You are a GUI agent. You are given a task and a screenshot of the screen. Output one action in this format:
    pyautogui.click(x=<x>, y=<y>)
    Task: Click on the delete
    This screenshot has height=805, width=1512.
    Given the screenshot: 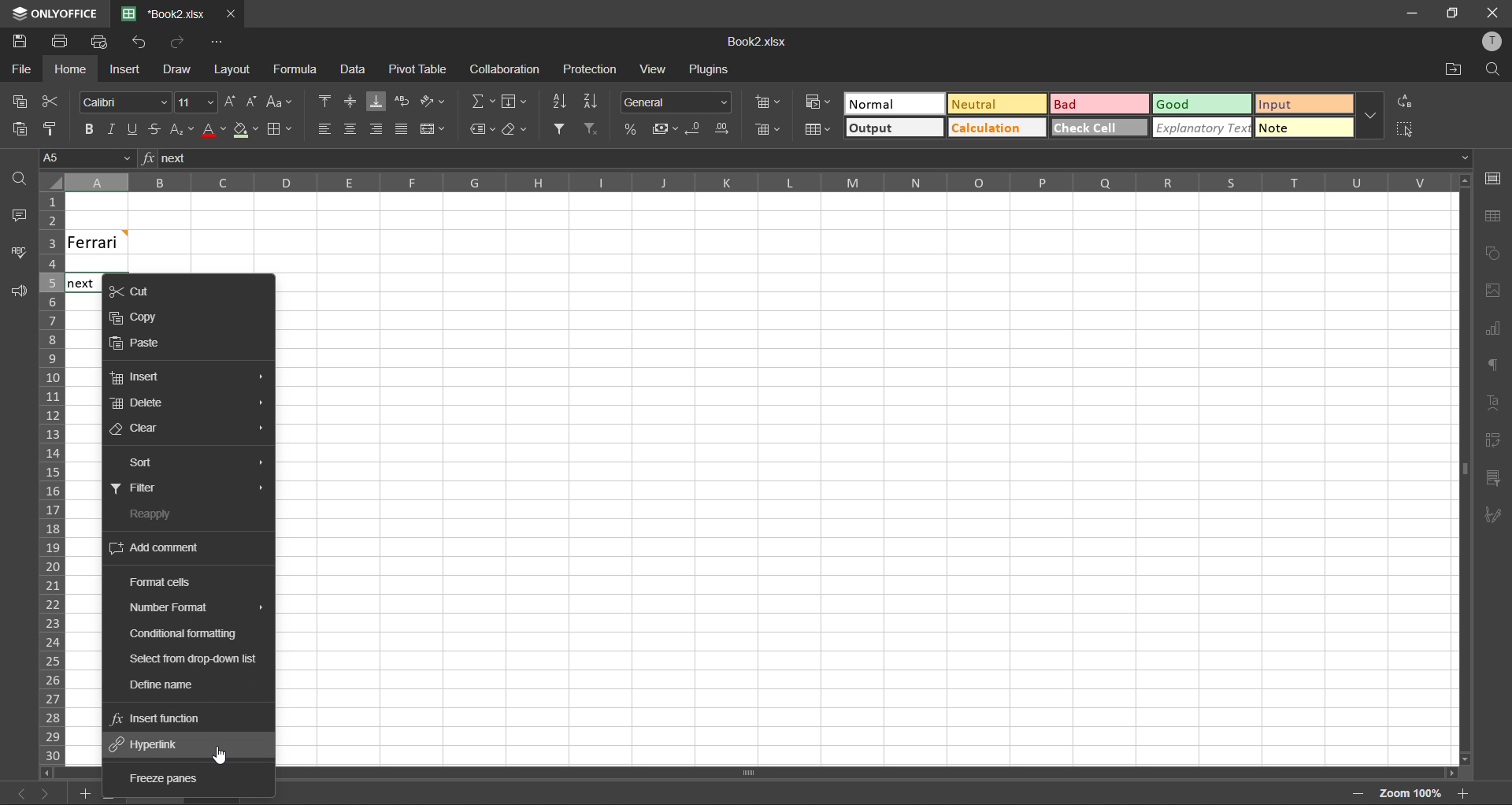 What is the action you would take?
    pyautogui.click(x=139, y=403)
    